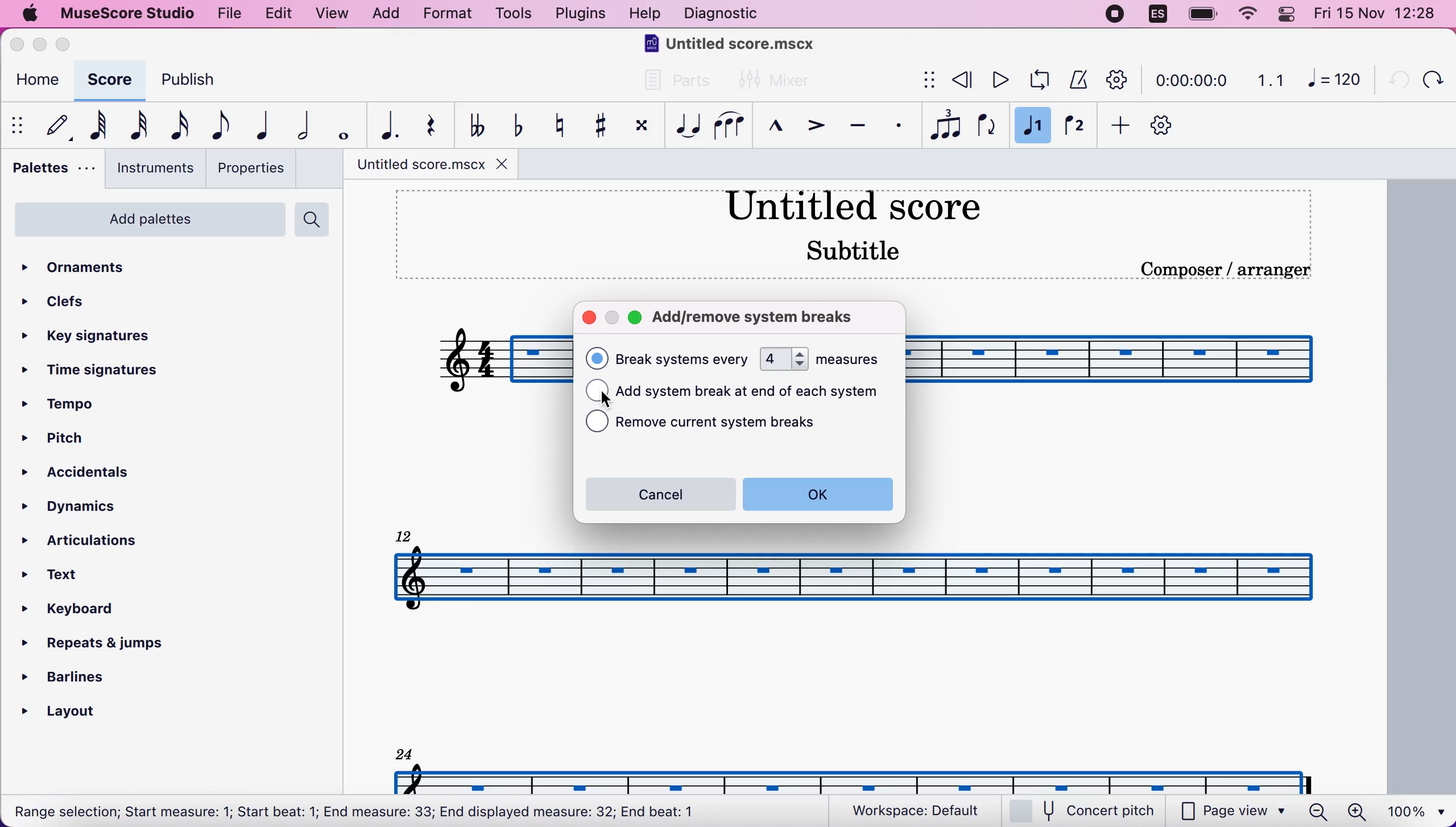  What do you see at coordinates (74, 708) in the screenshot?
I see `layout` at bounding box center [74, 708].